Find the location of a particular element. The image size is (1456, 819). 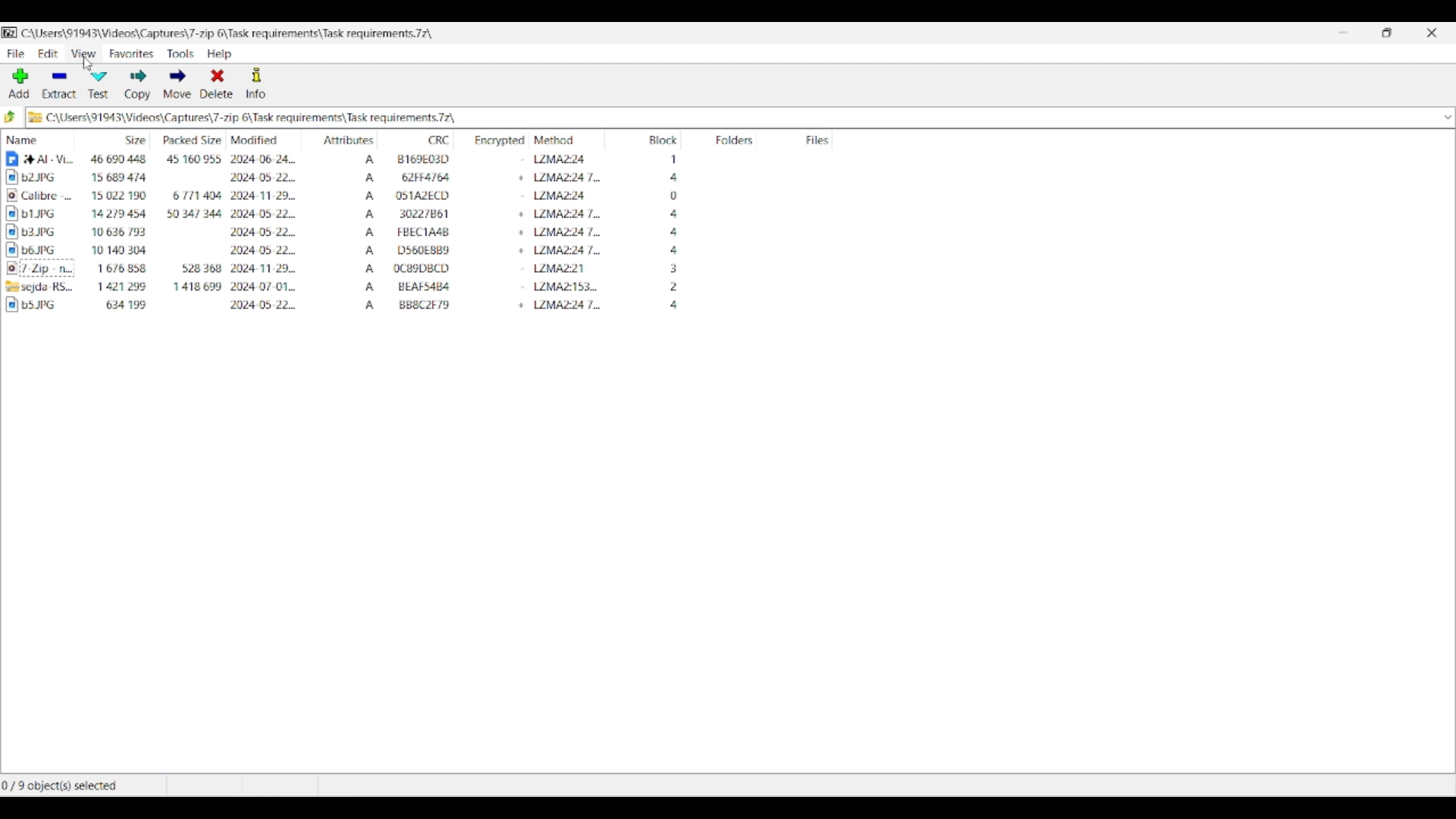

Method column is located at coordinates (567, 139).